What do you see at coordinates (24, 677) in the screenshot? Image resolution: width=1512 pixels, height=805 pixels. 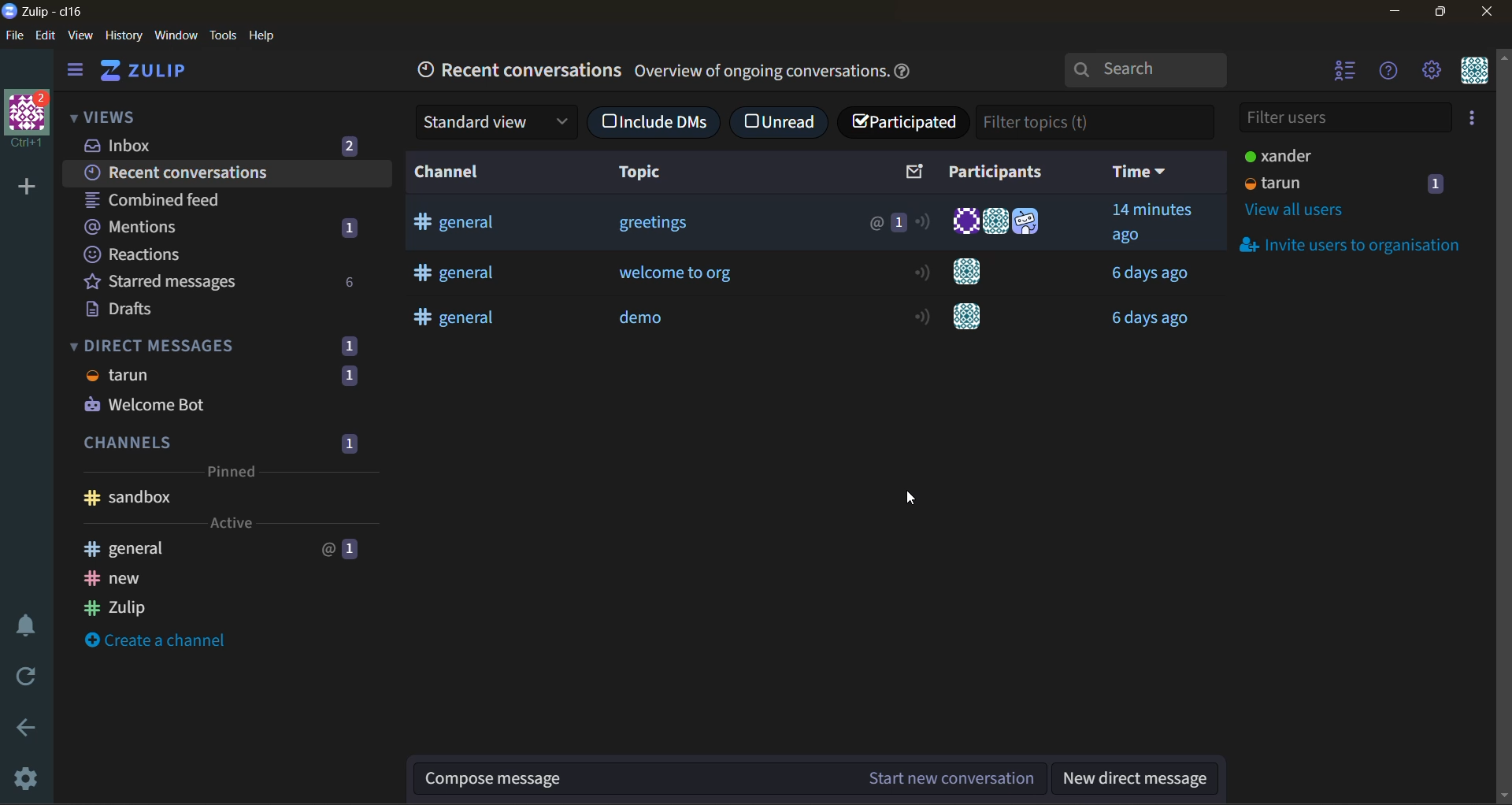 I see `reload` at bounding box center [24, 677].